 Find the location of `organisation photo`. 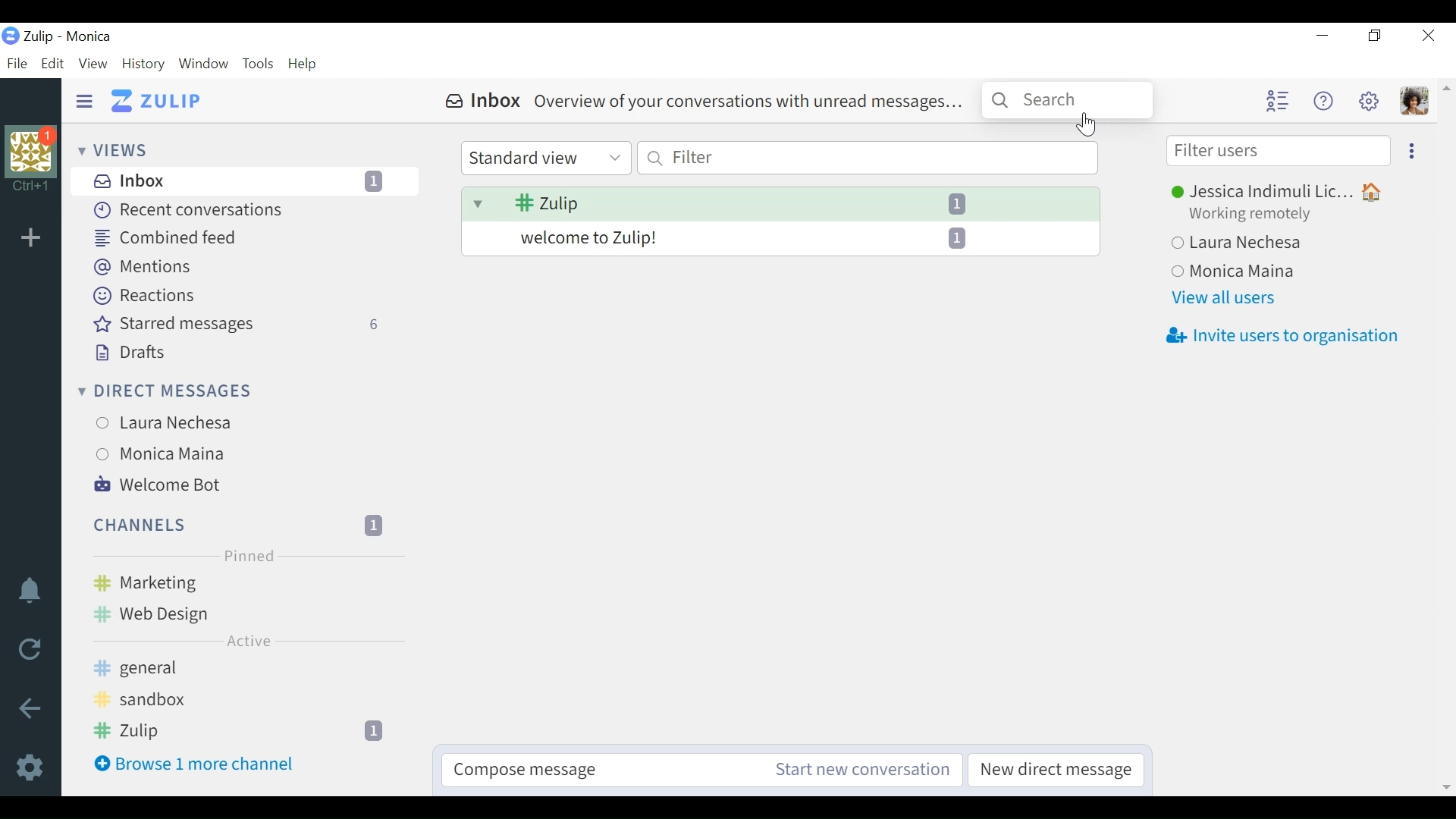

organisation photo is located at coordinates (31, 149).